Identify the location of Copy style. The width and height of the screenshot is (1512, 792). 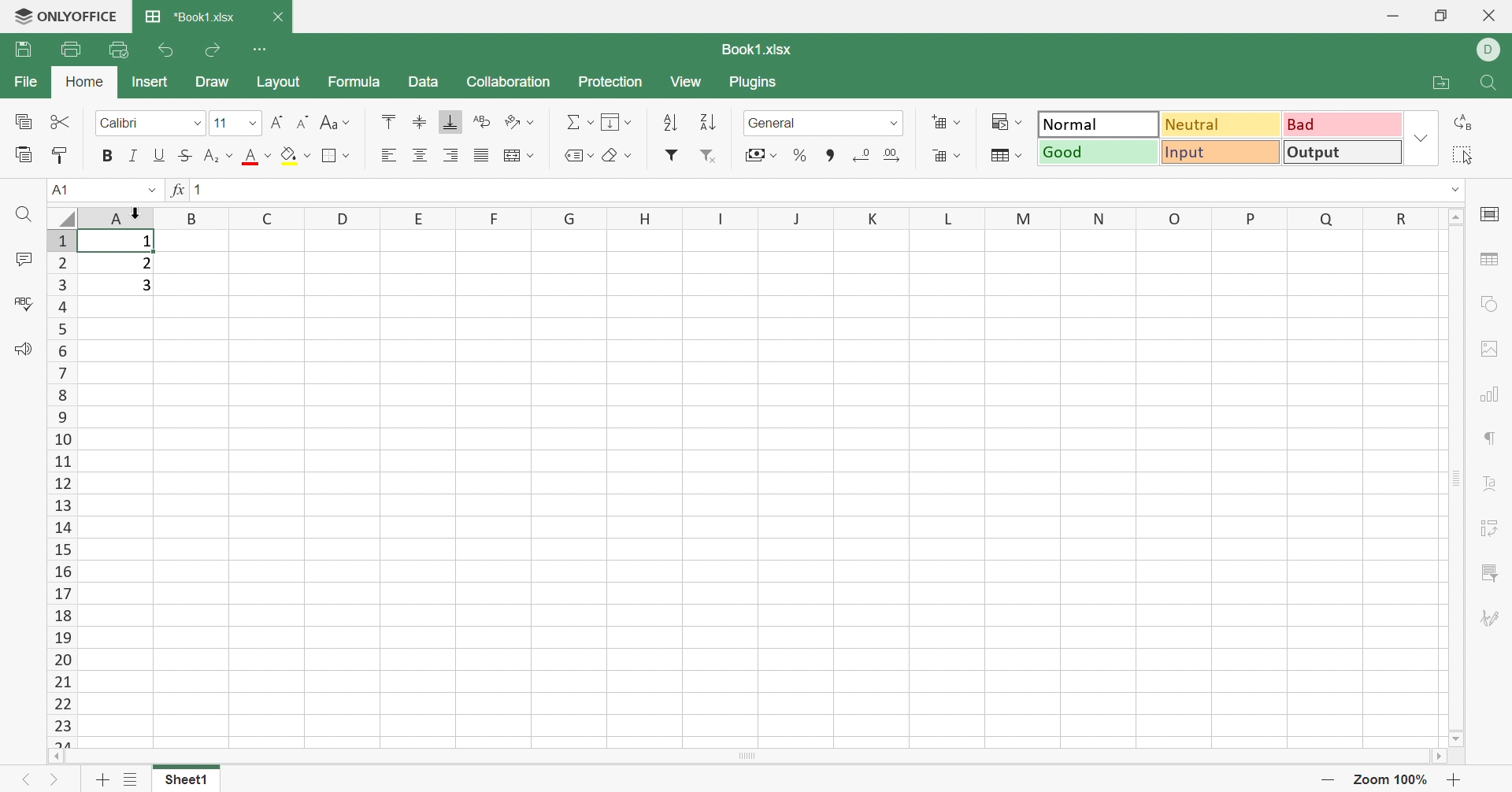
(59, 155).